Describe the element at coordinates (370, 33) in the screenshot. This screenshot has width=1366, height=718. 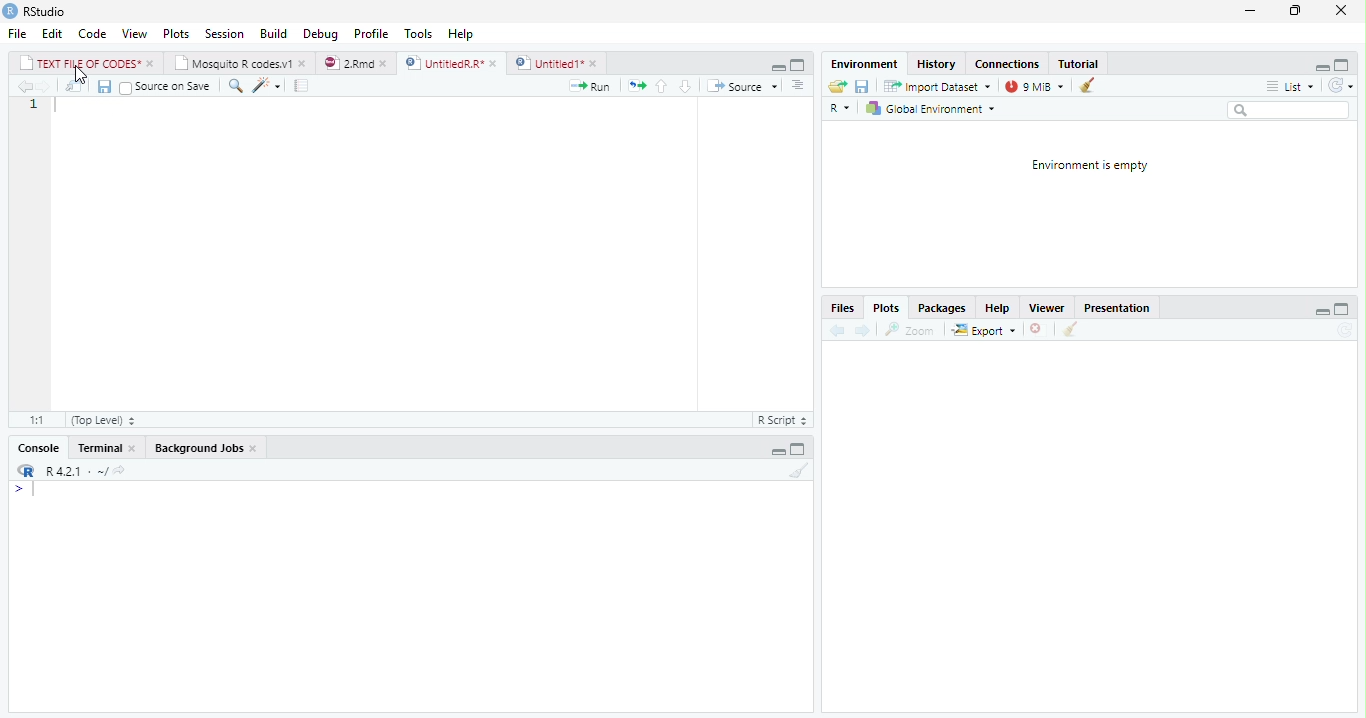
I see `Profile` at that location.